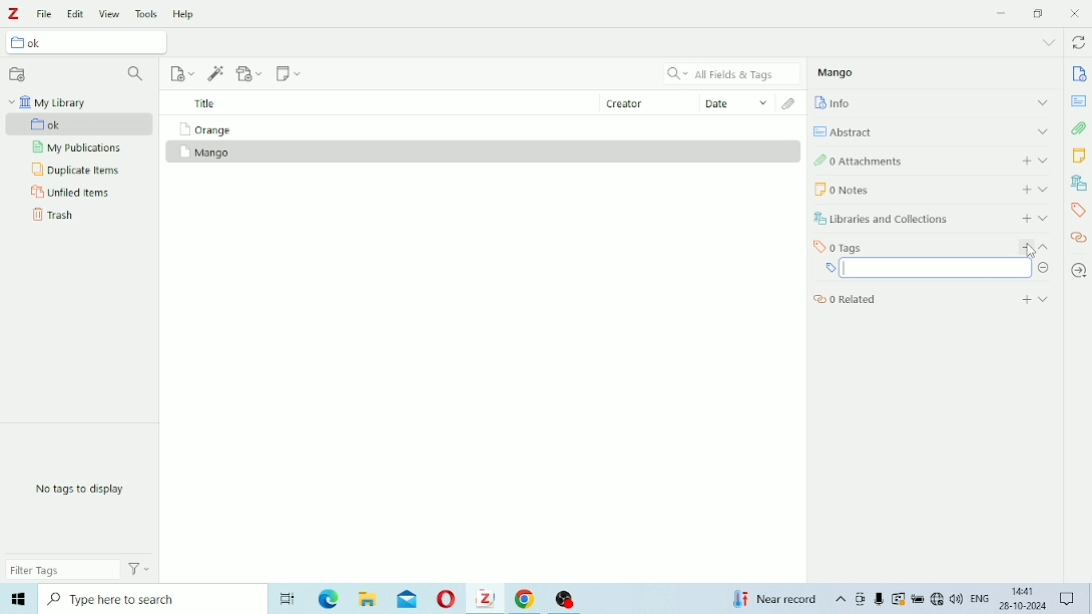 The image size is (1092, 614). I want to click on Title, so click(207, 104).